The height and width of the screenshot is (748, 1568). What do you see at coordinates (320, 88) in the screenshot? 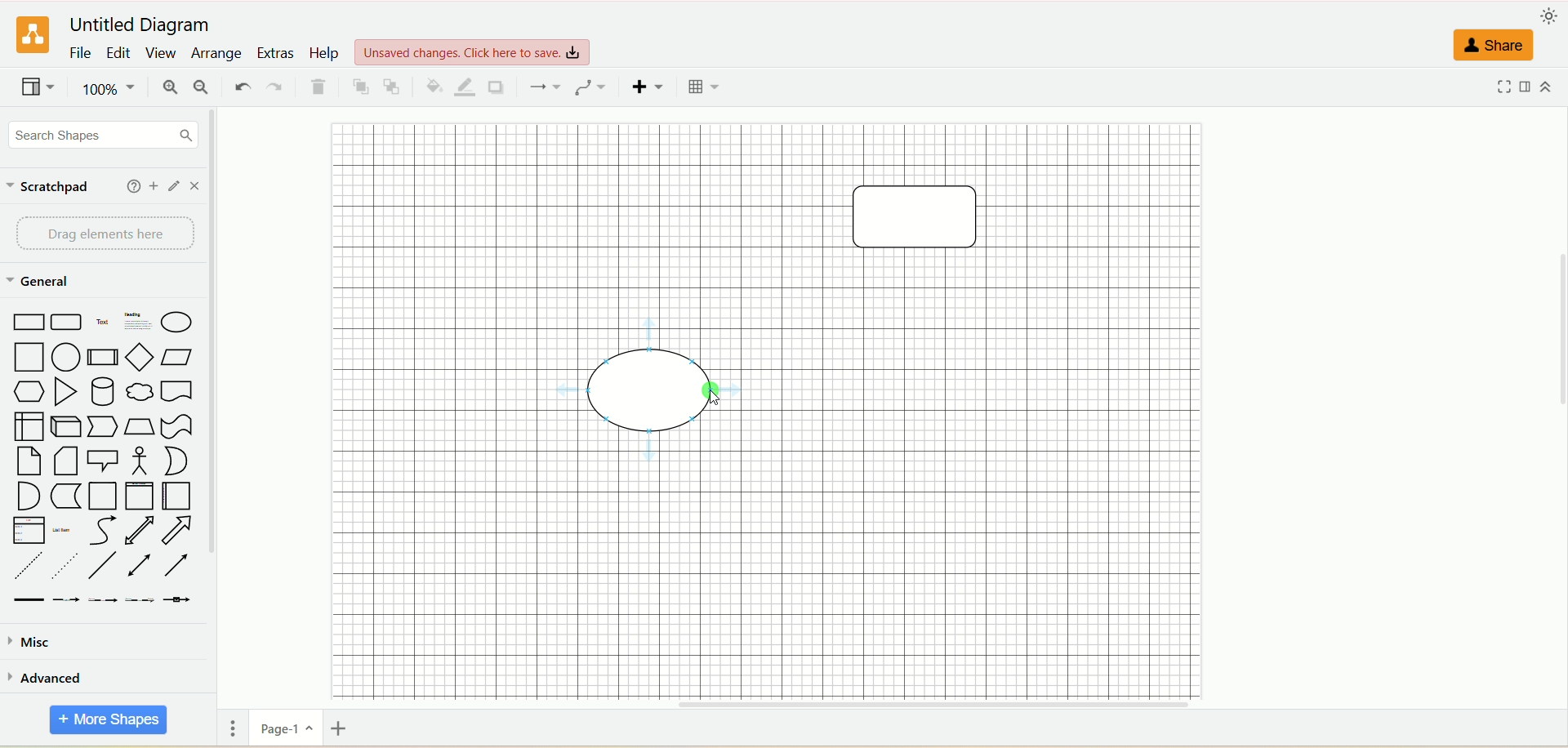
I see `delete` at bounding box center [320, 88].